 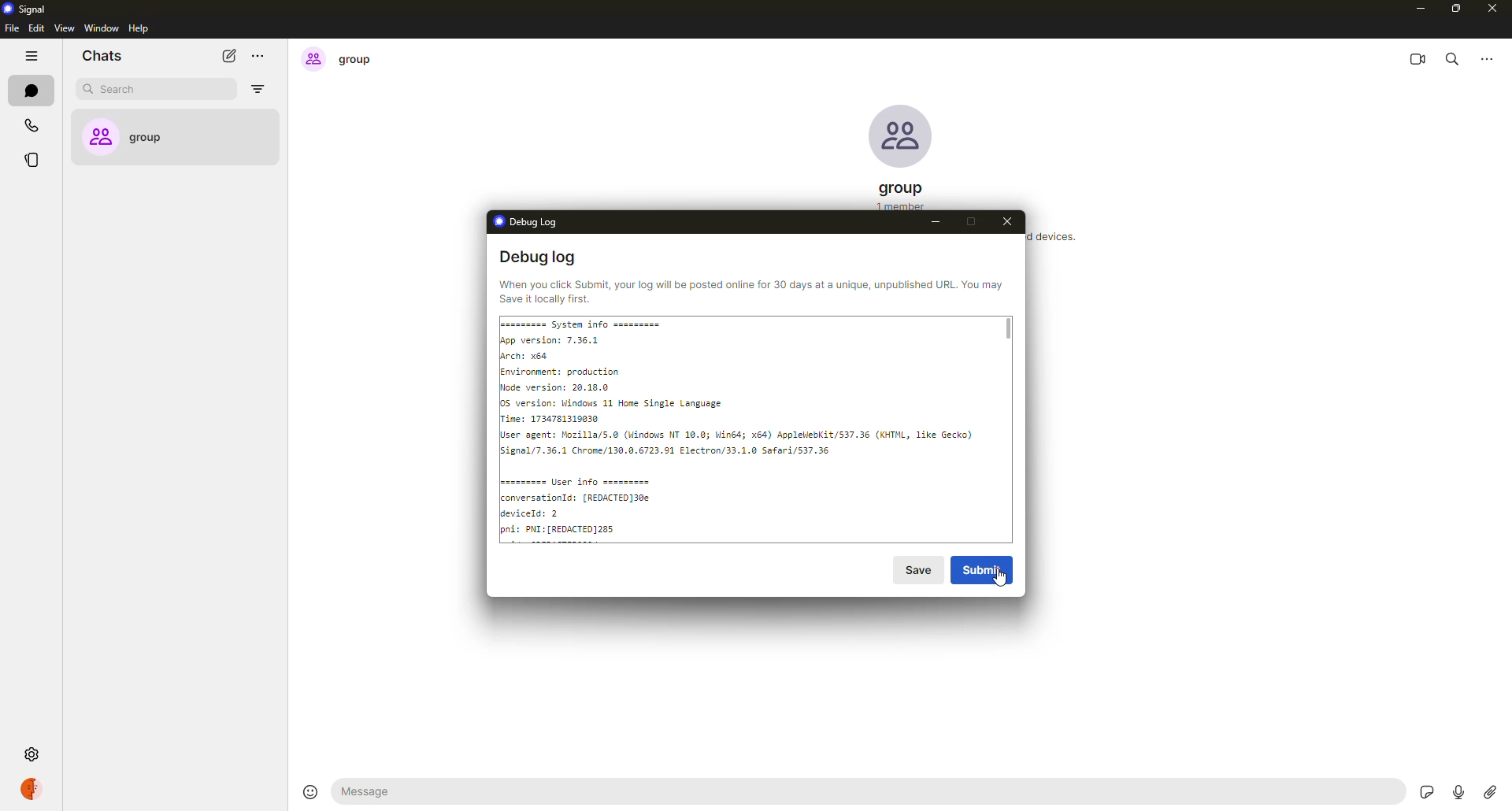 What do you see at coordinates (124, 91) in the screenshot?
I see `search` at bounding box center [124, 91].